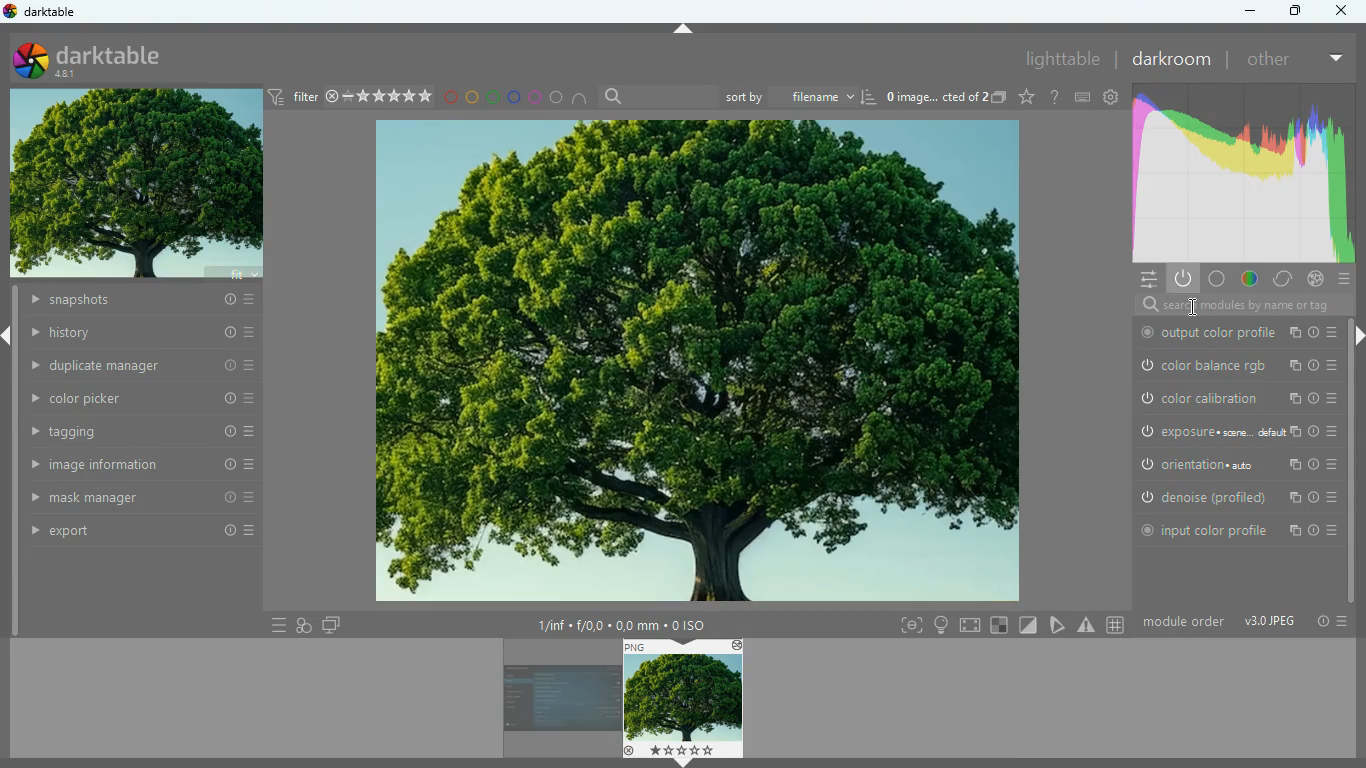 The width and height of the screenshot is (1366, 768). Describe the element at coordinates (143, 465) in the screenshot. I see `image information` at that location.